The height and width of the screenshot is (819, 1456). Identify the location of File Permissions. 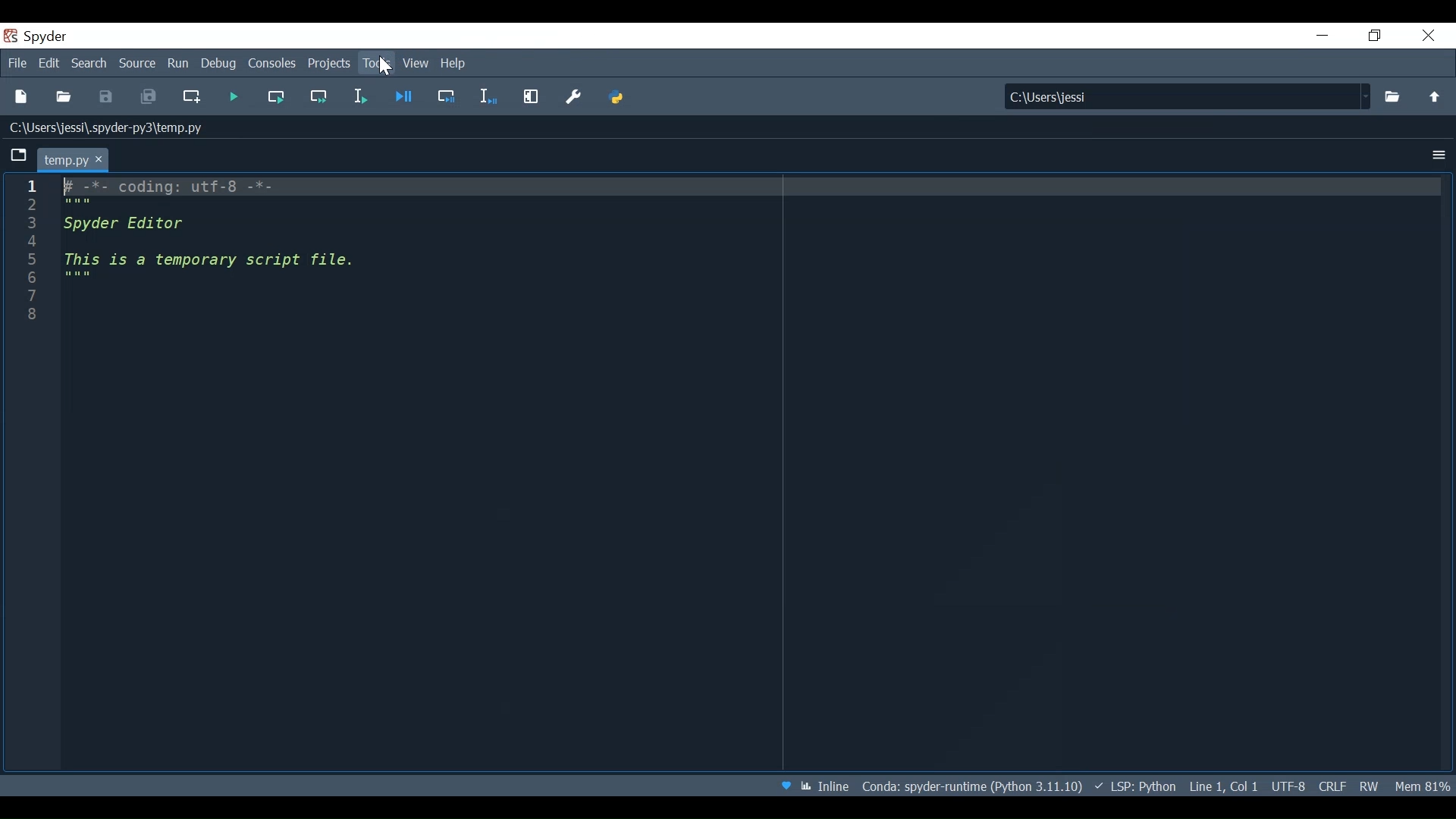
(1369, 786).